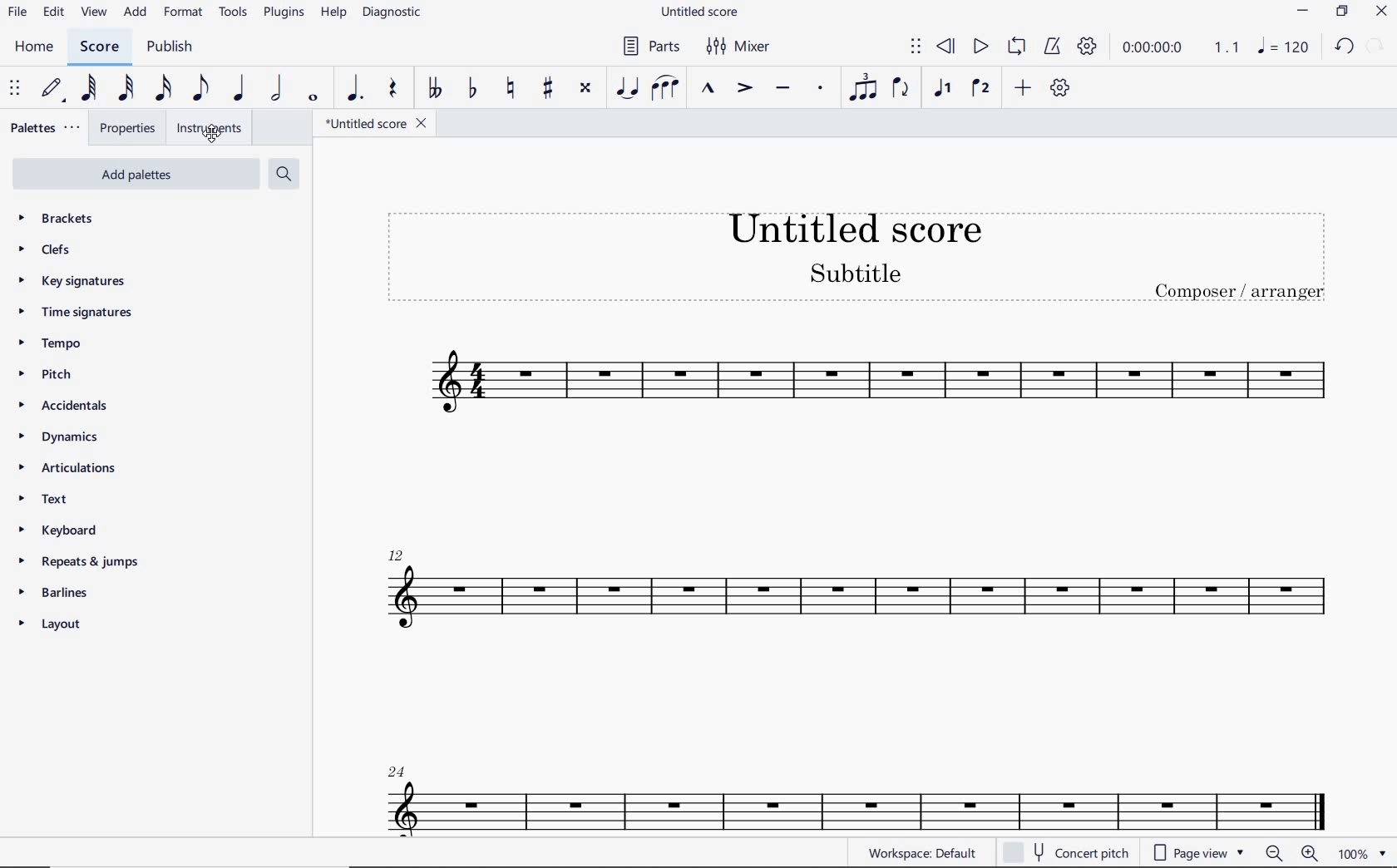 The height and width of the screenshot is (868, 1397). What do you see at coordinates (52, 345) in the screenshot?
I see `tempo` at bounding box center [52, 345].